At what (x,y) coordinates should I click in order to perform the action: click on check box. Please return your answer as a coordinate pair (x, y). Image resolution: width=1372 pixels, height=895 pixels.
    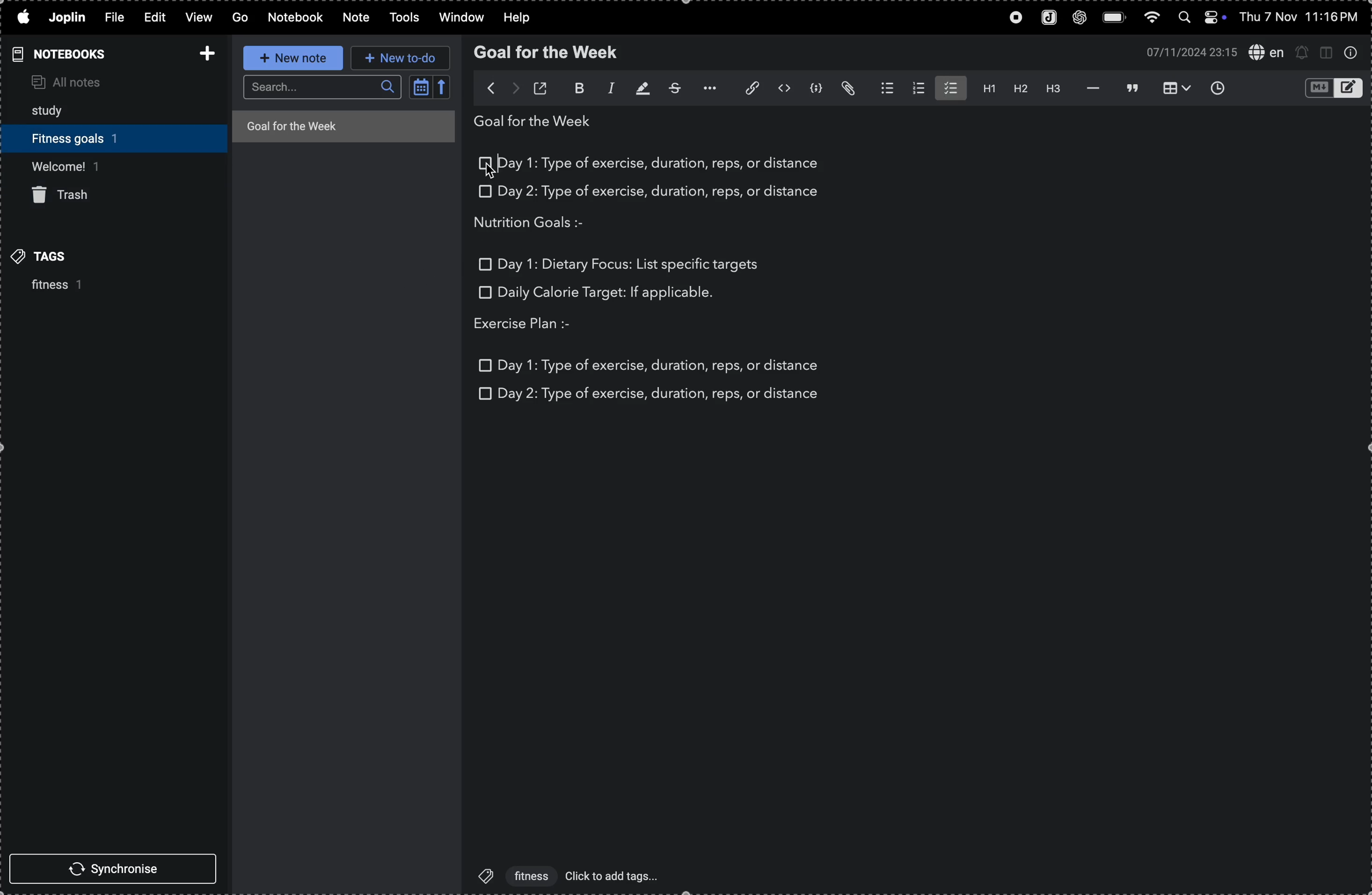
    Looking at the image, I should click on (487, 165).